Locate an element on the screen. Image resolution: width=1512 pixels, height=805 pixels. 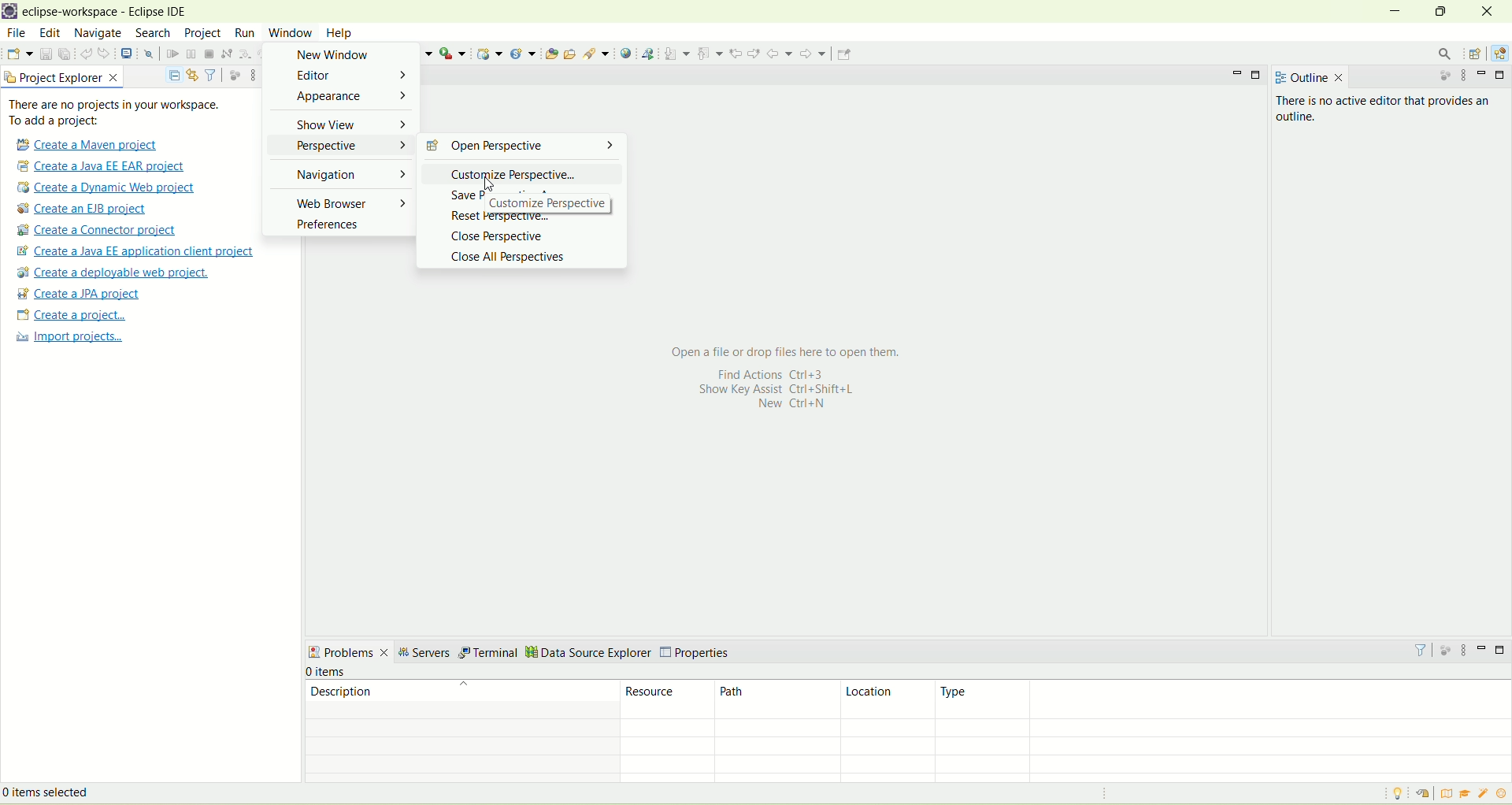
reset perspective is located at coordinates (495, 217).